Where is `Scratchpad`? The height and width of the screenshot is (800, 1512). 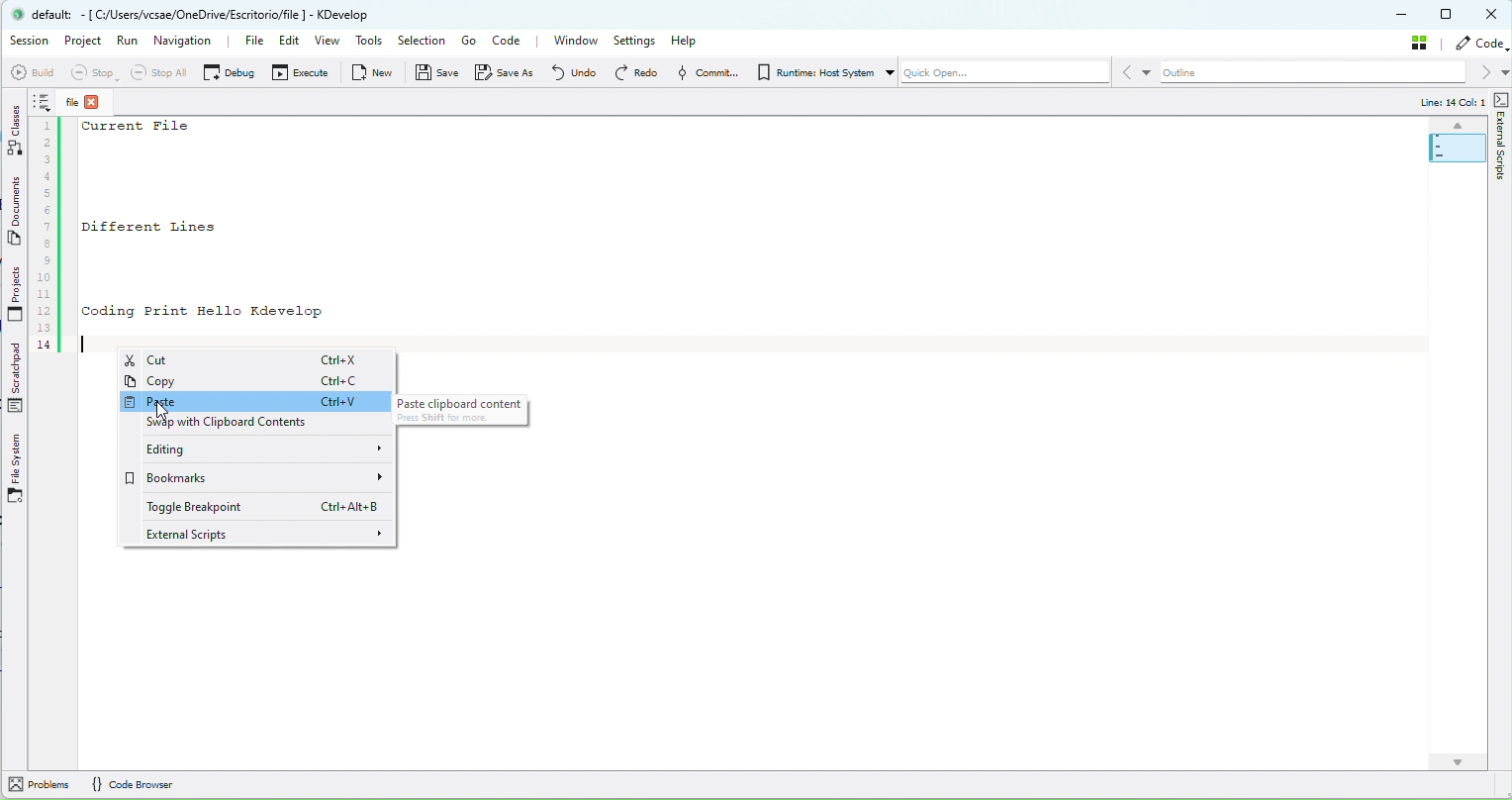
Scratchpad is located at coordinates (18, 379).